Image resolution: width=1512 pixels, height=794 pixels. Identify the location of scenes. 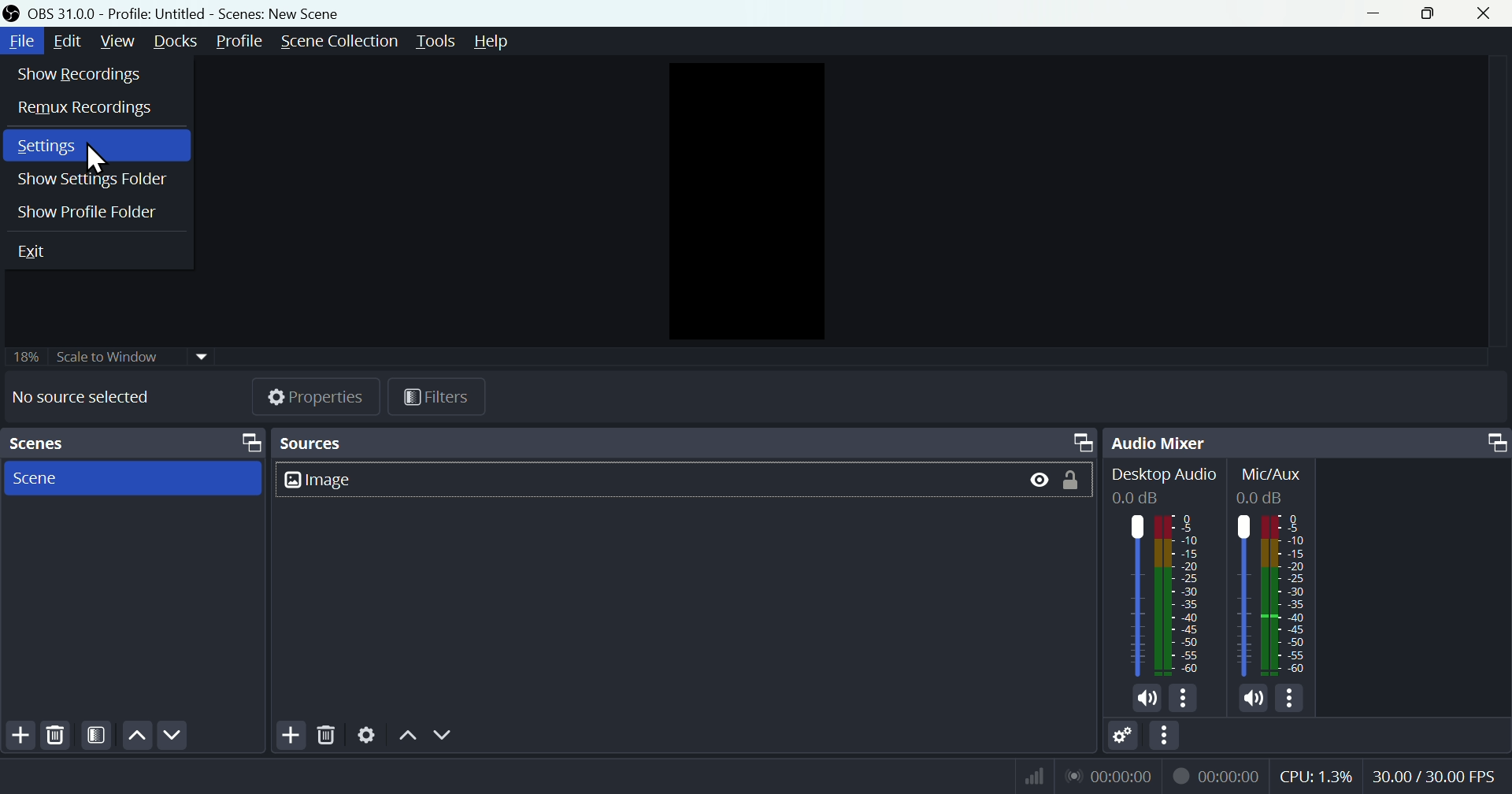
(133, 477).